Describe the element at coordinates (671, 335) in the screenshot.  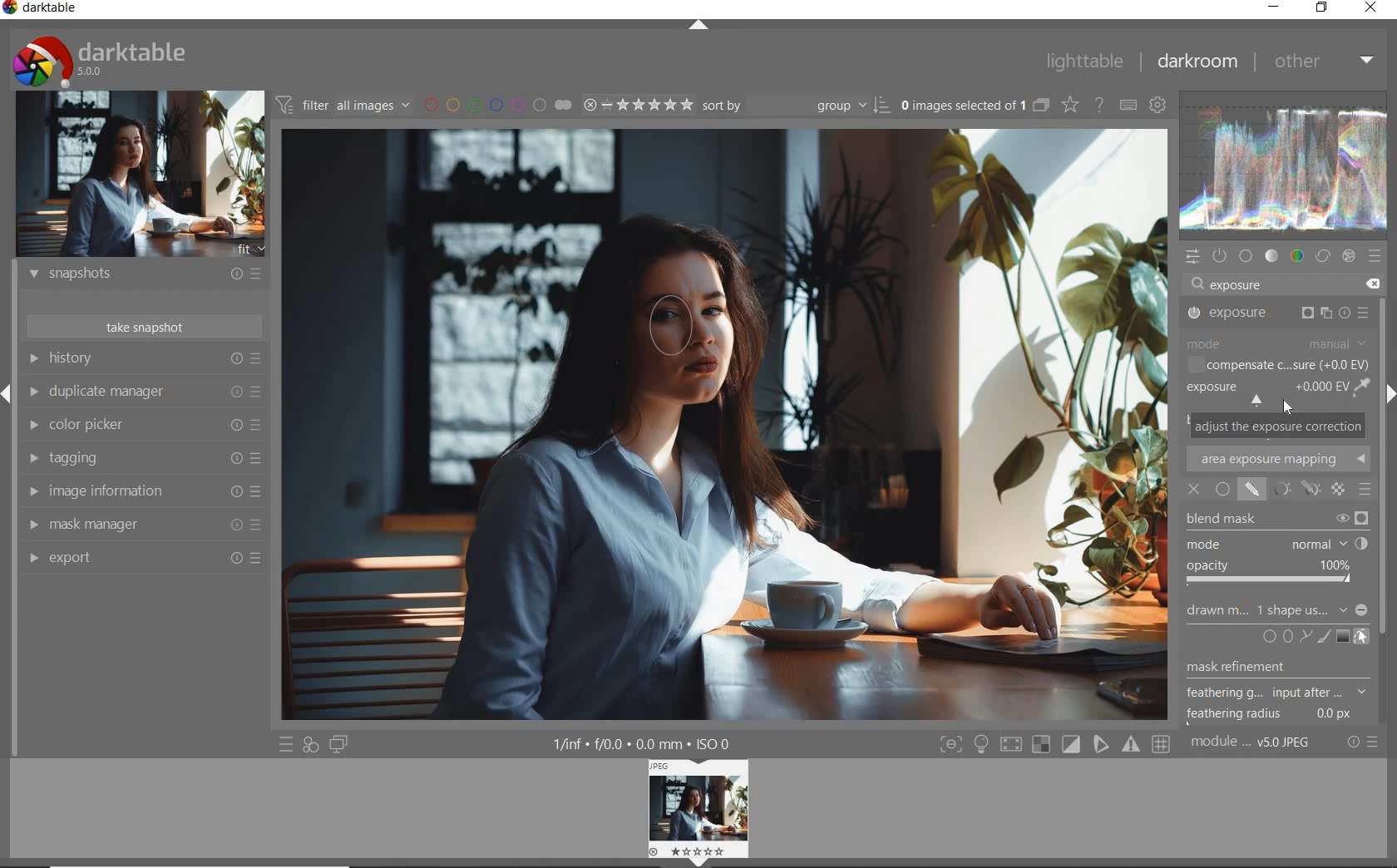
I see `cursor` at that location.